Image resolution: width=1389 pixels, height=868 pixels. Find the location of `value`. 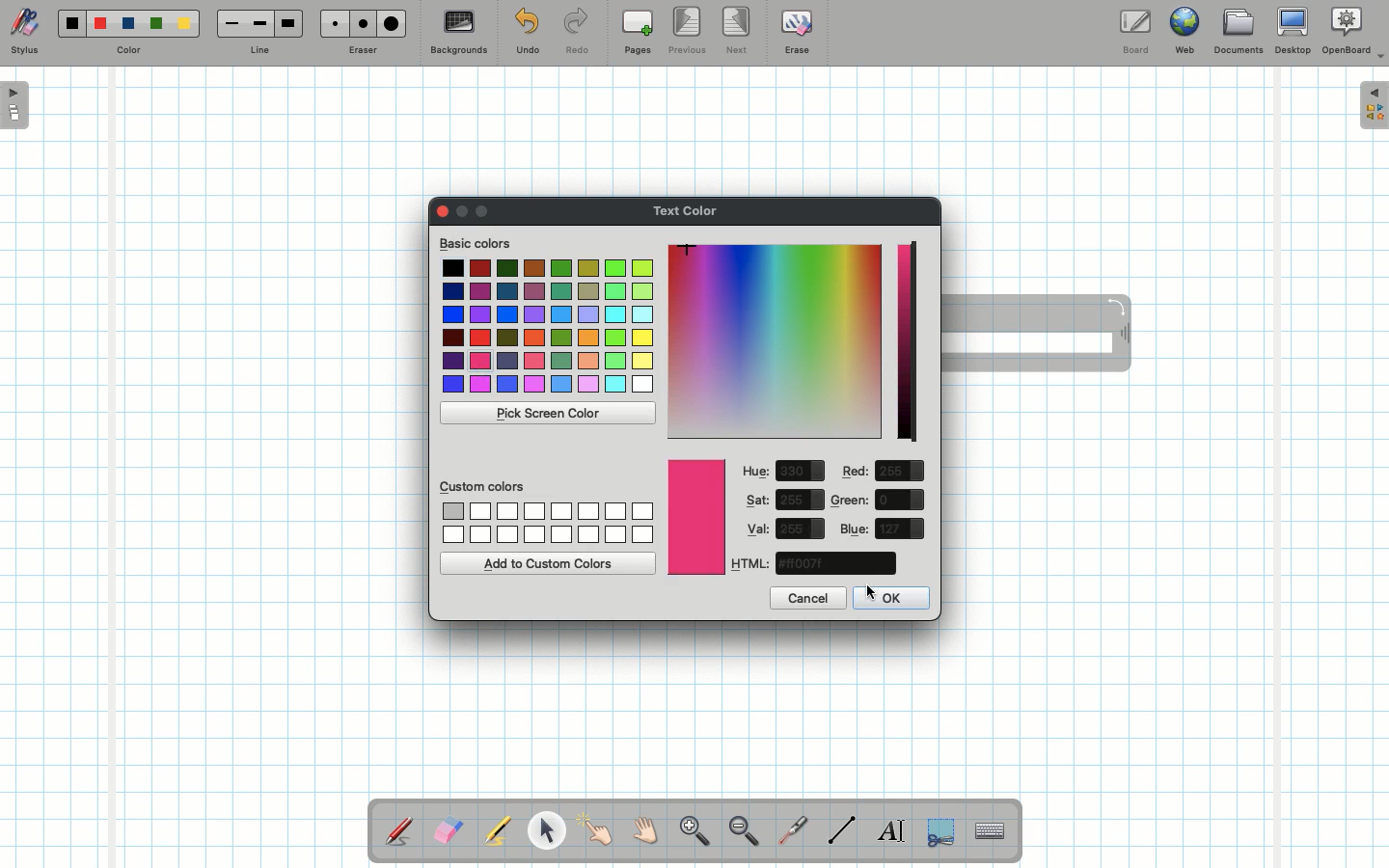

value is located at coordinates (901, 472).